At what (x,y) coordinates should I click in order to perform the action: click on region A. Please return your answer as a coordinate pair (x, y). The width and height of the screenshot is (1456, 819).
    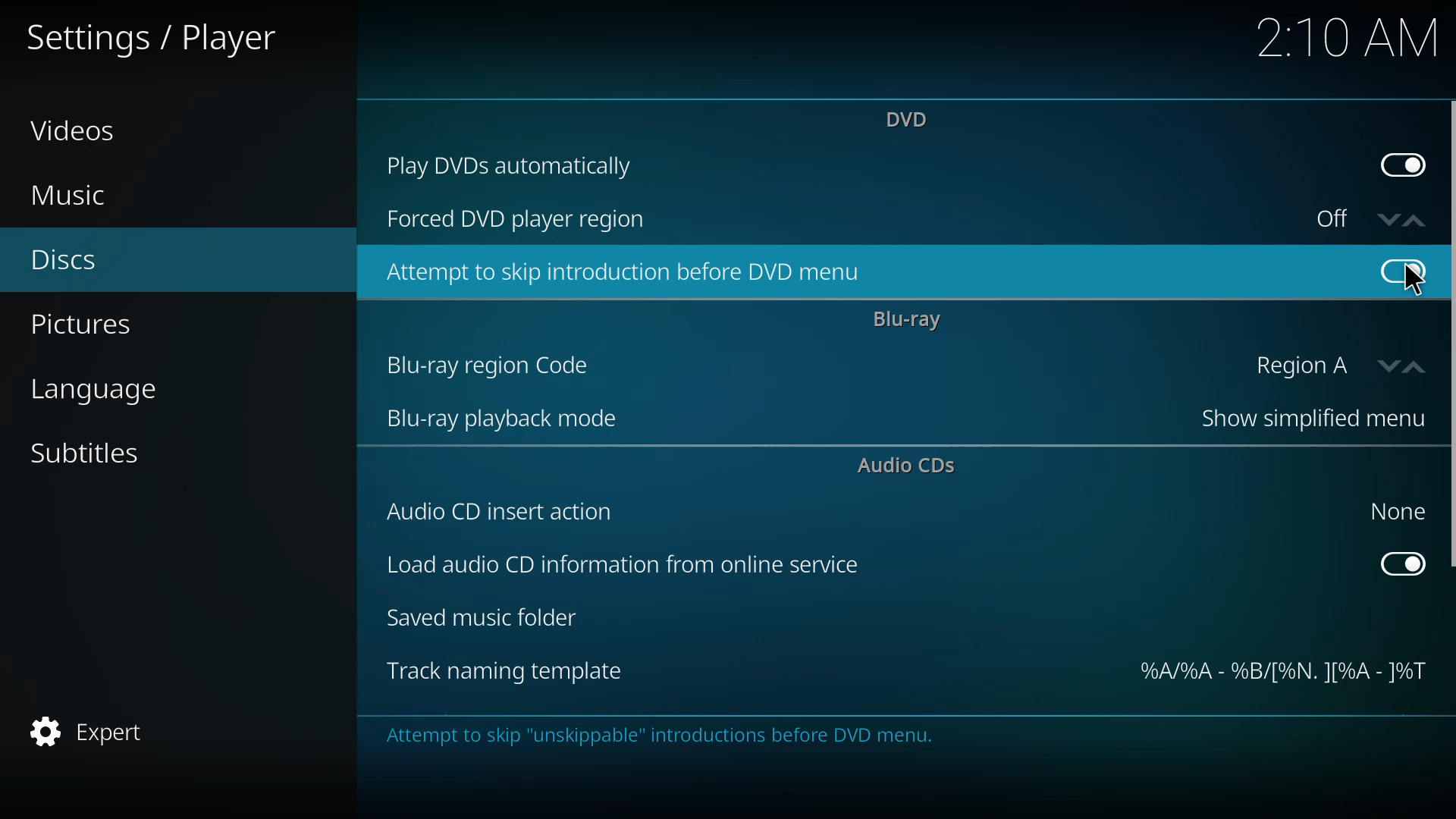
    Looking at the image, I should click on (1327, 362).